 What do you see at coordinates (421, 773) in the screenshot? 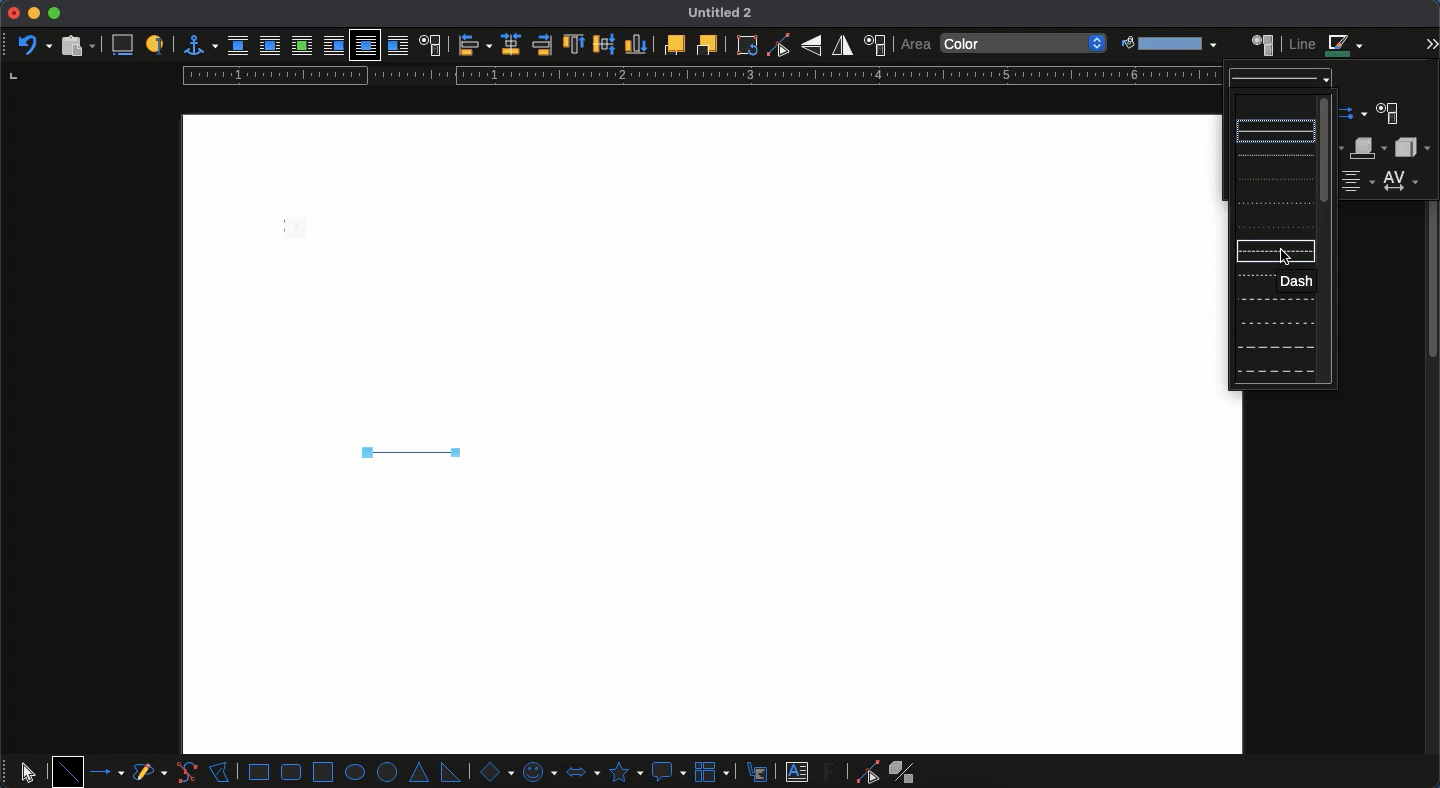
I see `isosceles triangle` at bounding box center [421, 773].